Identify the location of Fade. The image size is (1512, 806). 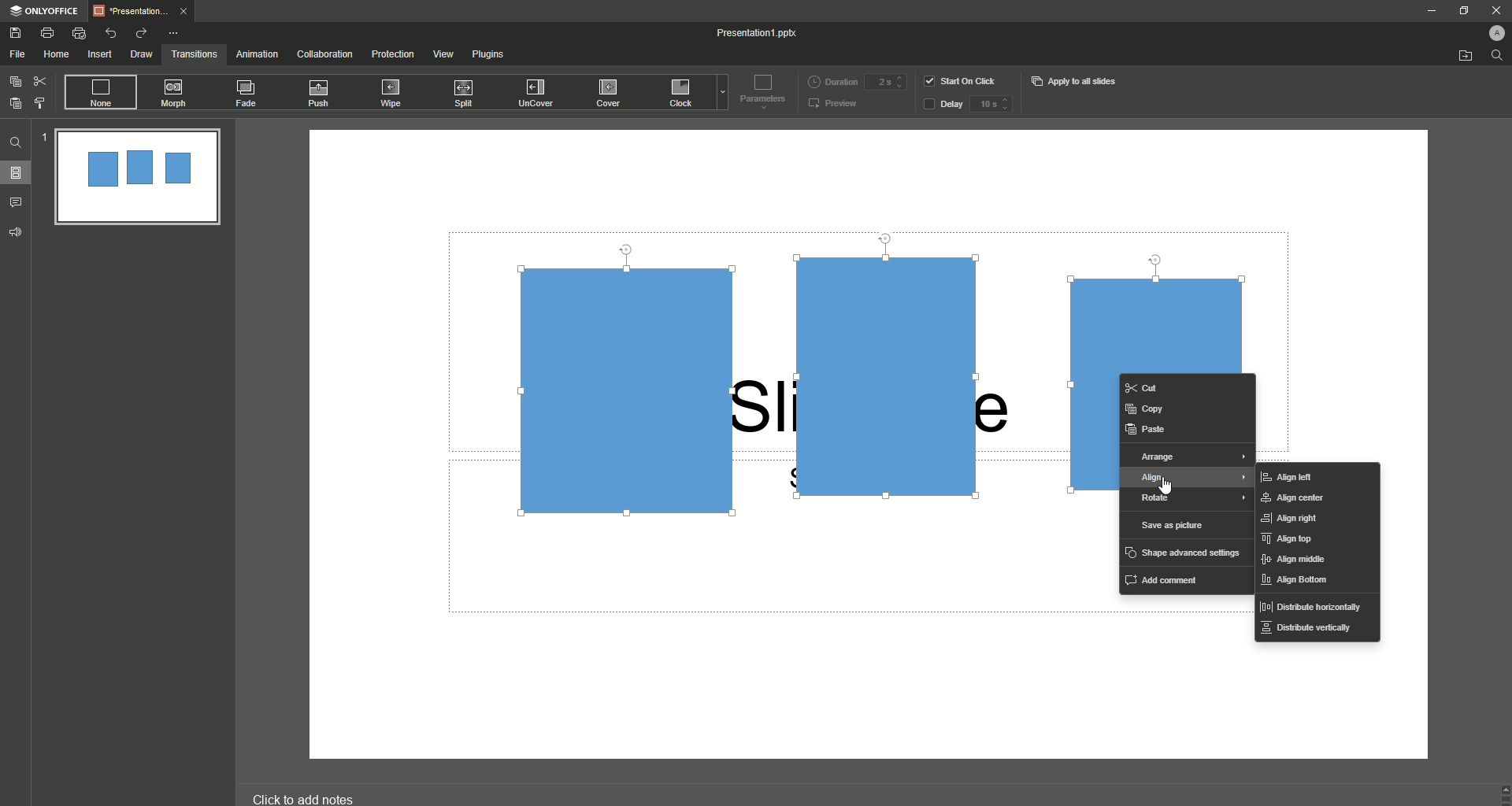
(247, 96).